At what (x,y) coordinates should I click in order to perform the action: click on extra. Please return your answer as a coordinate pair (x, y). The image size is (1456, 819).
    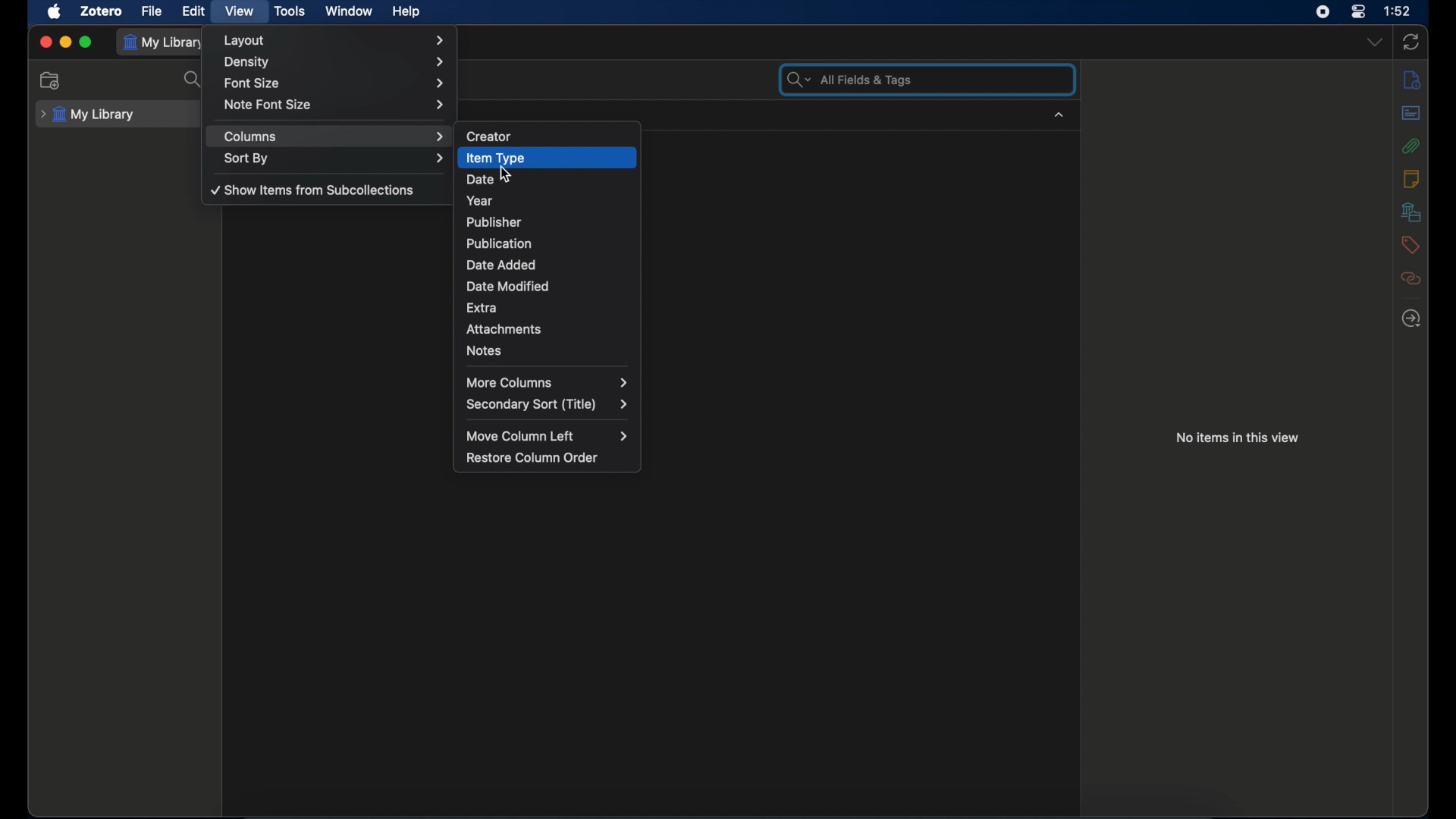
    Looking at the image, I should click on (483, 306).